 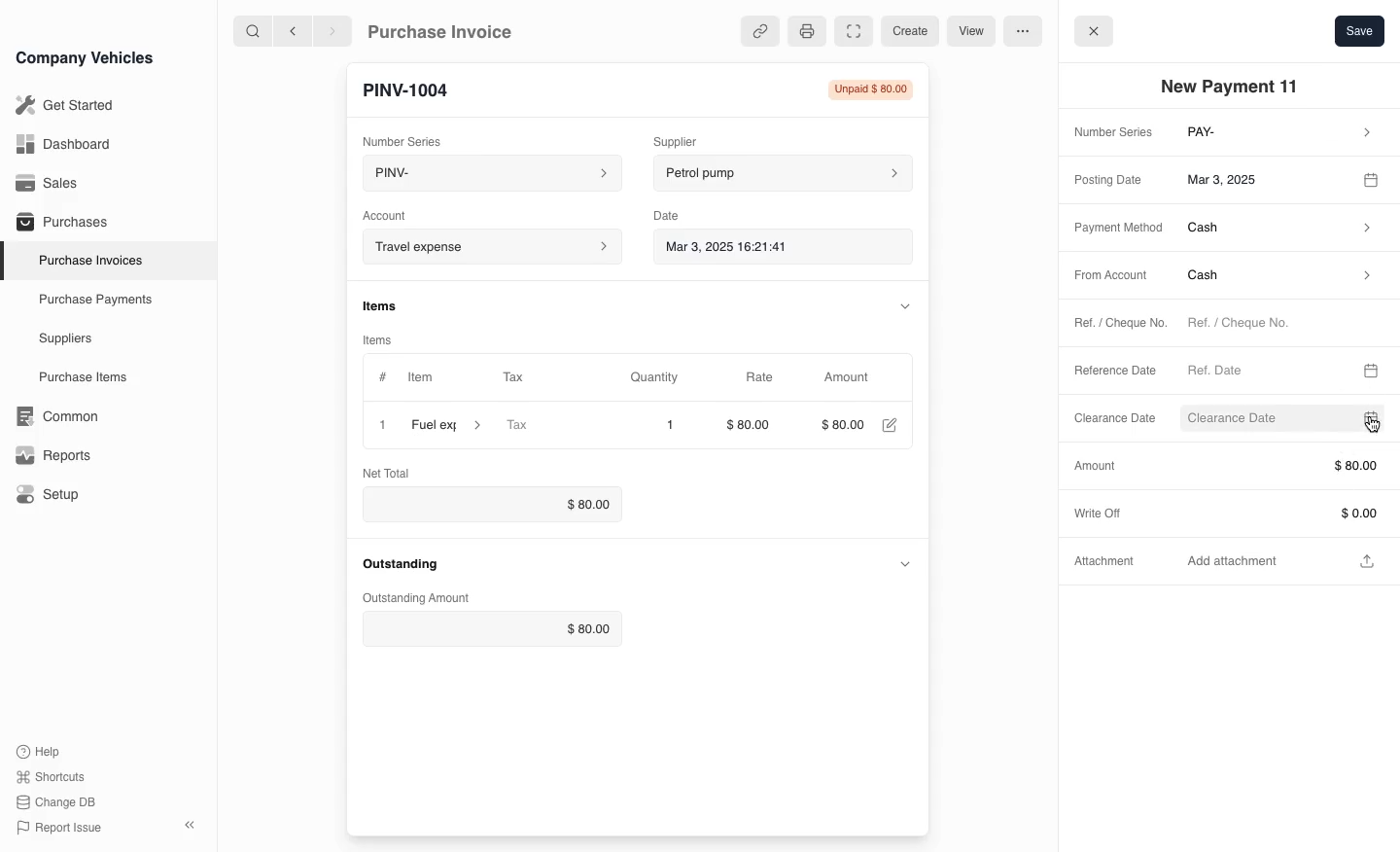 What do you see at coordinates (415, 89) in the screenshot?
I see `New Entry` at bounding box center [415, 89].